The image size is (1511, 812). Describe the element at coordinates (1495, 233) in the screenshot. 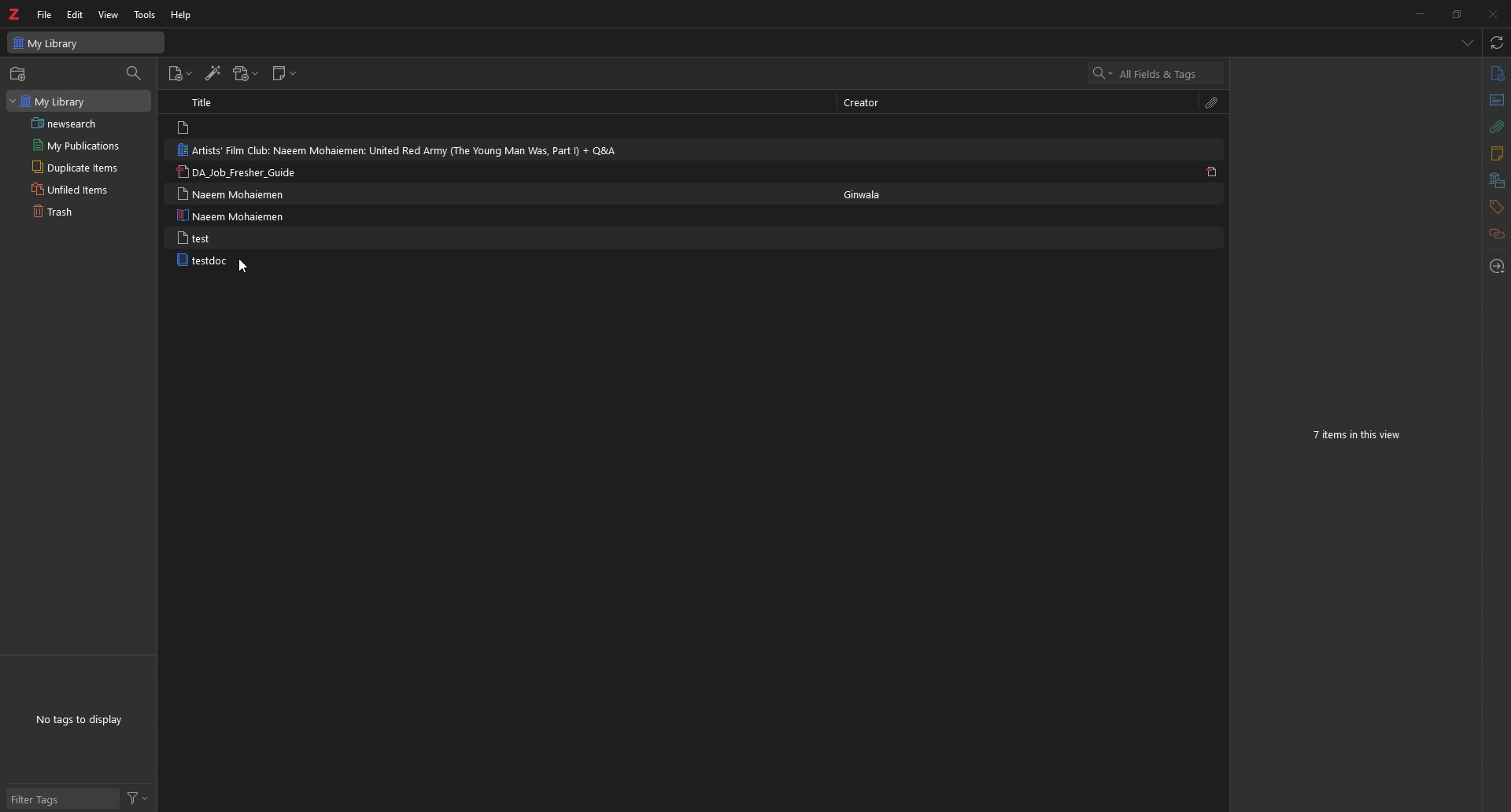

I see `related` at that location.